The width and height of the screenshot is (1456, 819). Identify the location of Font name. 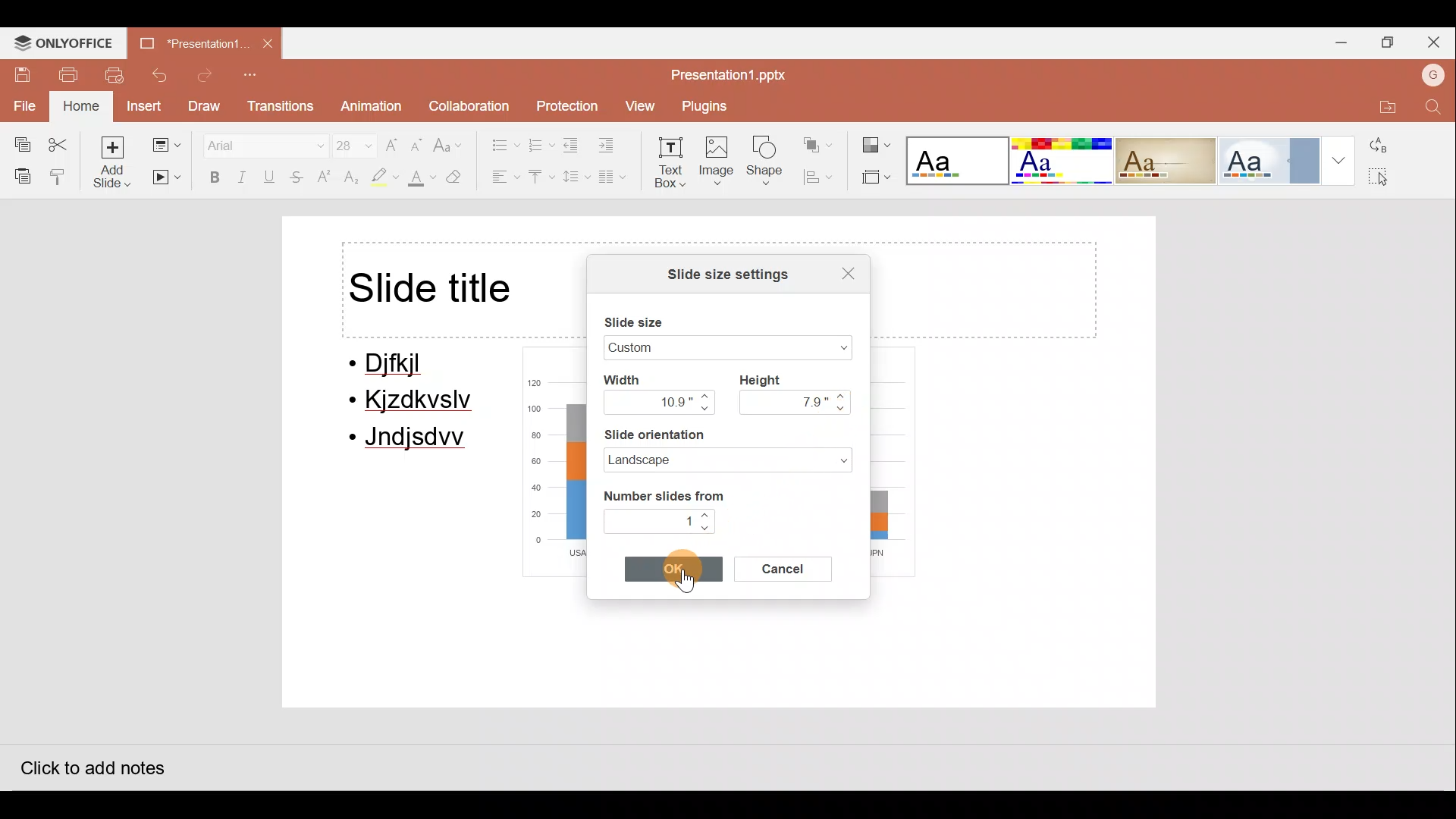
(256, 143).